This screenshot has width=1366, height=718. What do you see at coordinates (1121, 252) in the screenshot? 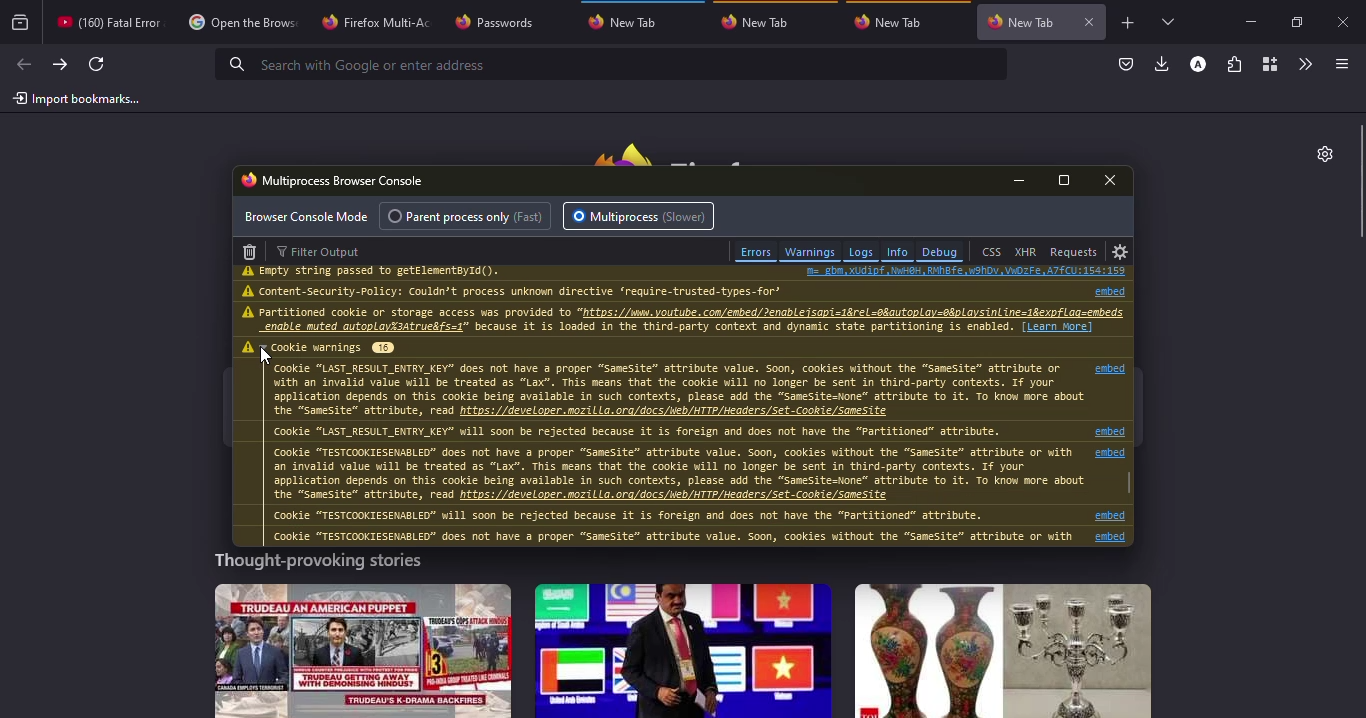
I see `settings` at bounding box center [1121, 252].